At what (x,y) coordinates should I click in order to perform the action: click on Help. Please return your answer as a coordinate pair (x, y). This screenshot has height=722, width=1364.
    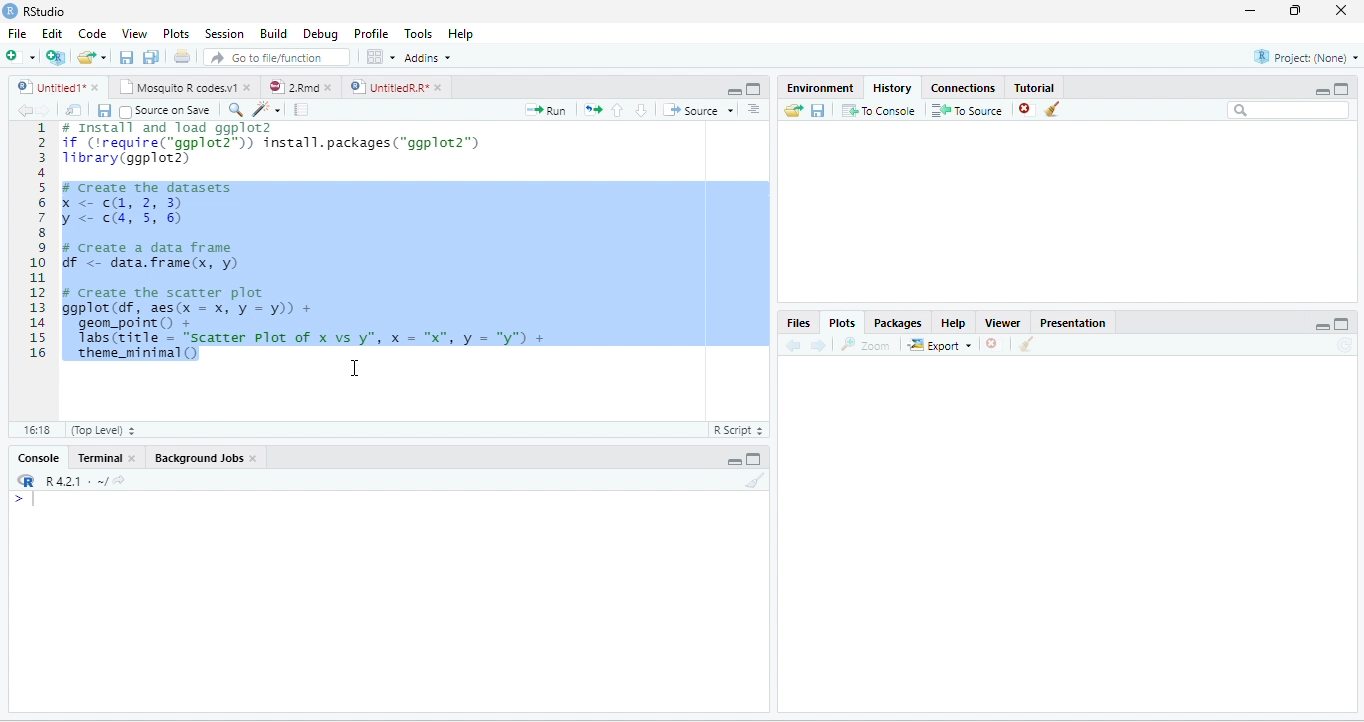
    Looking at the image, I should click on (462, 33).